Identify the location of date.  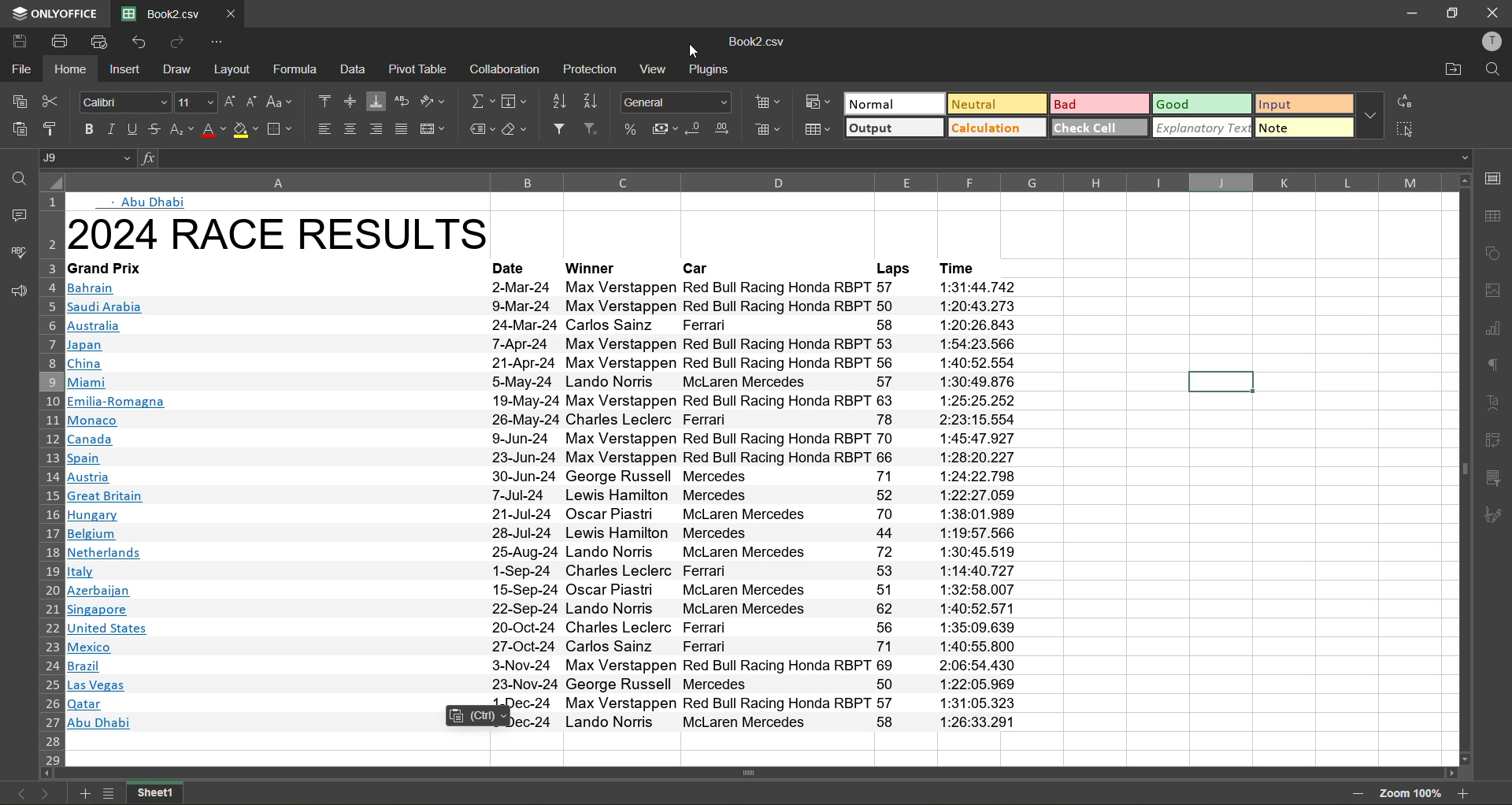
(509, 267).